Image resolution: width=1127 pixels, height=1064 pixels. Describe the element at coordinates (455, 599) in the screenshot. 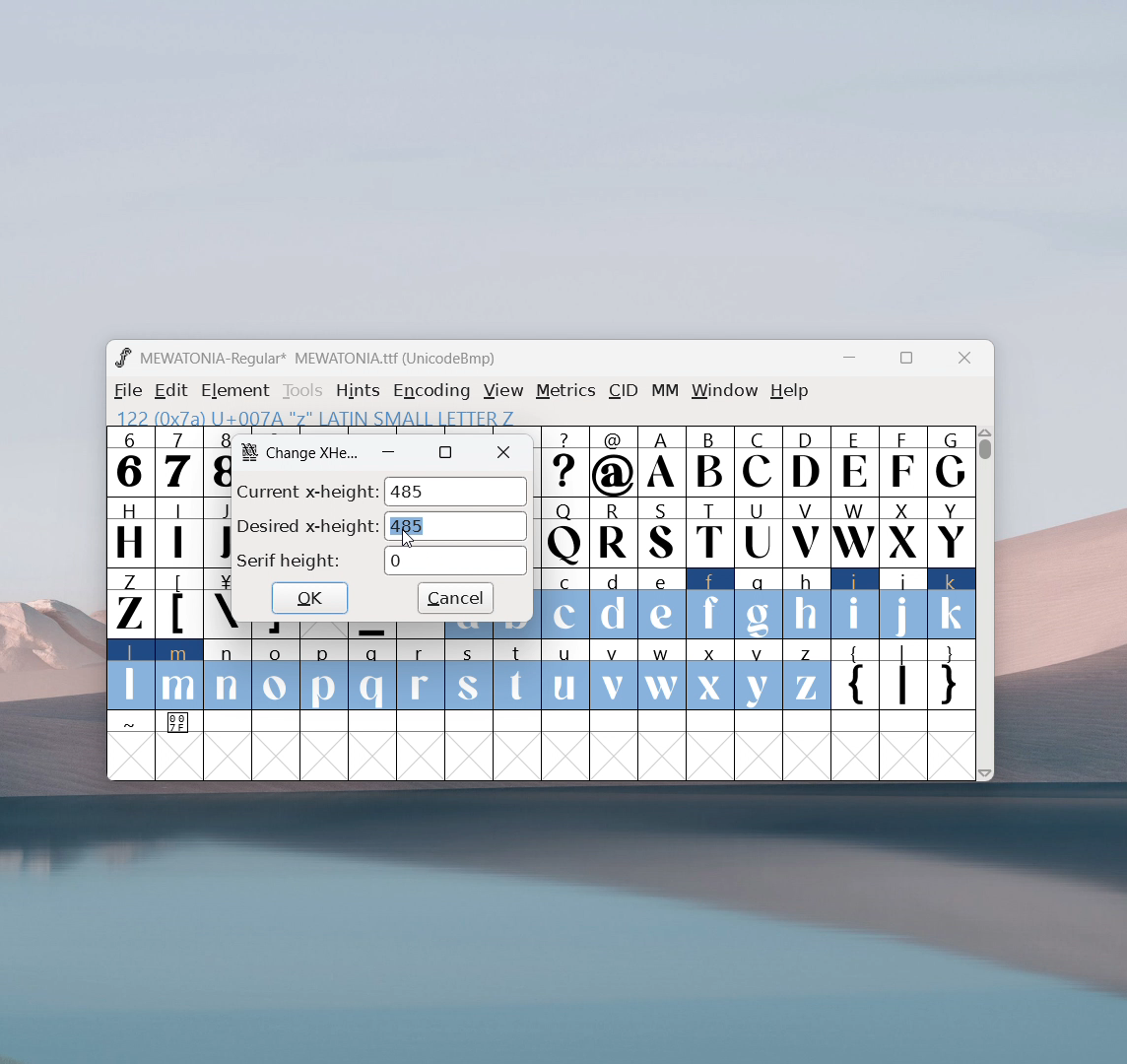

I see `cancel` at that location.